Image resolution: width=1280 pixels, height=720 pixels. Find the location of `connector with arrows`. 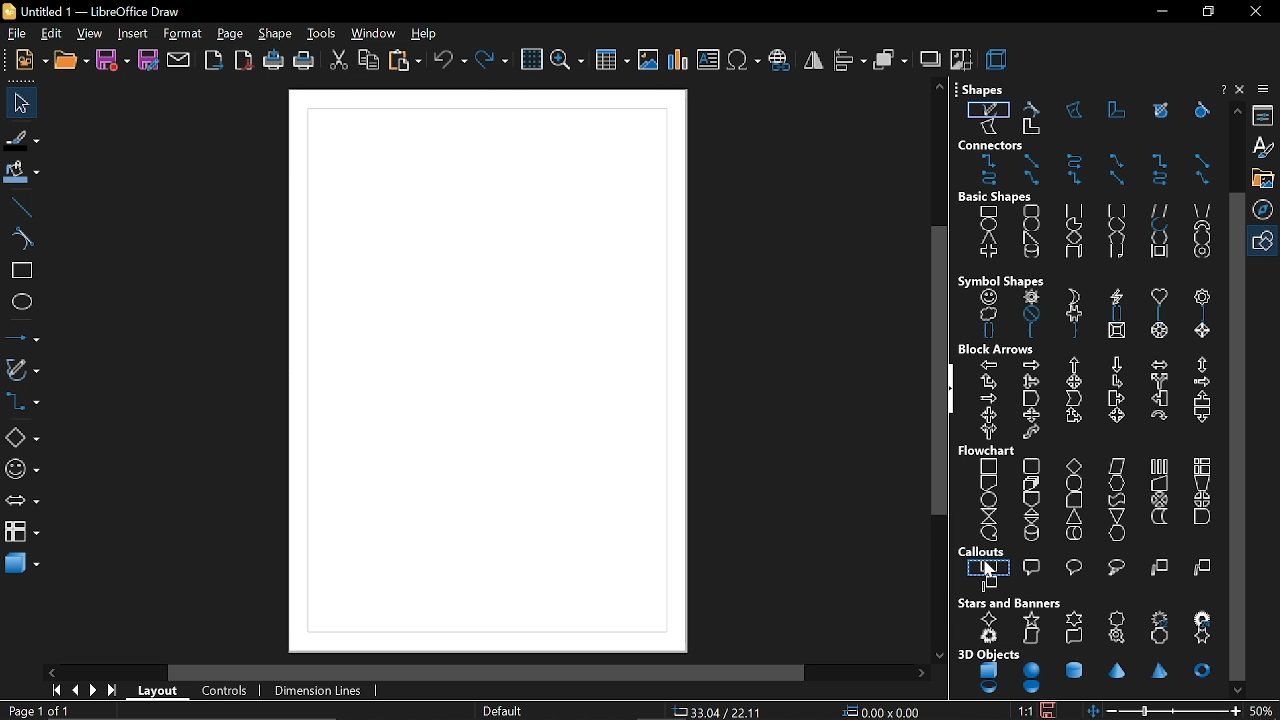

connector with arrows is located at coordinates (1075, 181).